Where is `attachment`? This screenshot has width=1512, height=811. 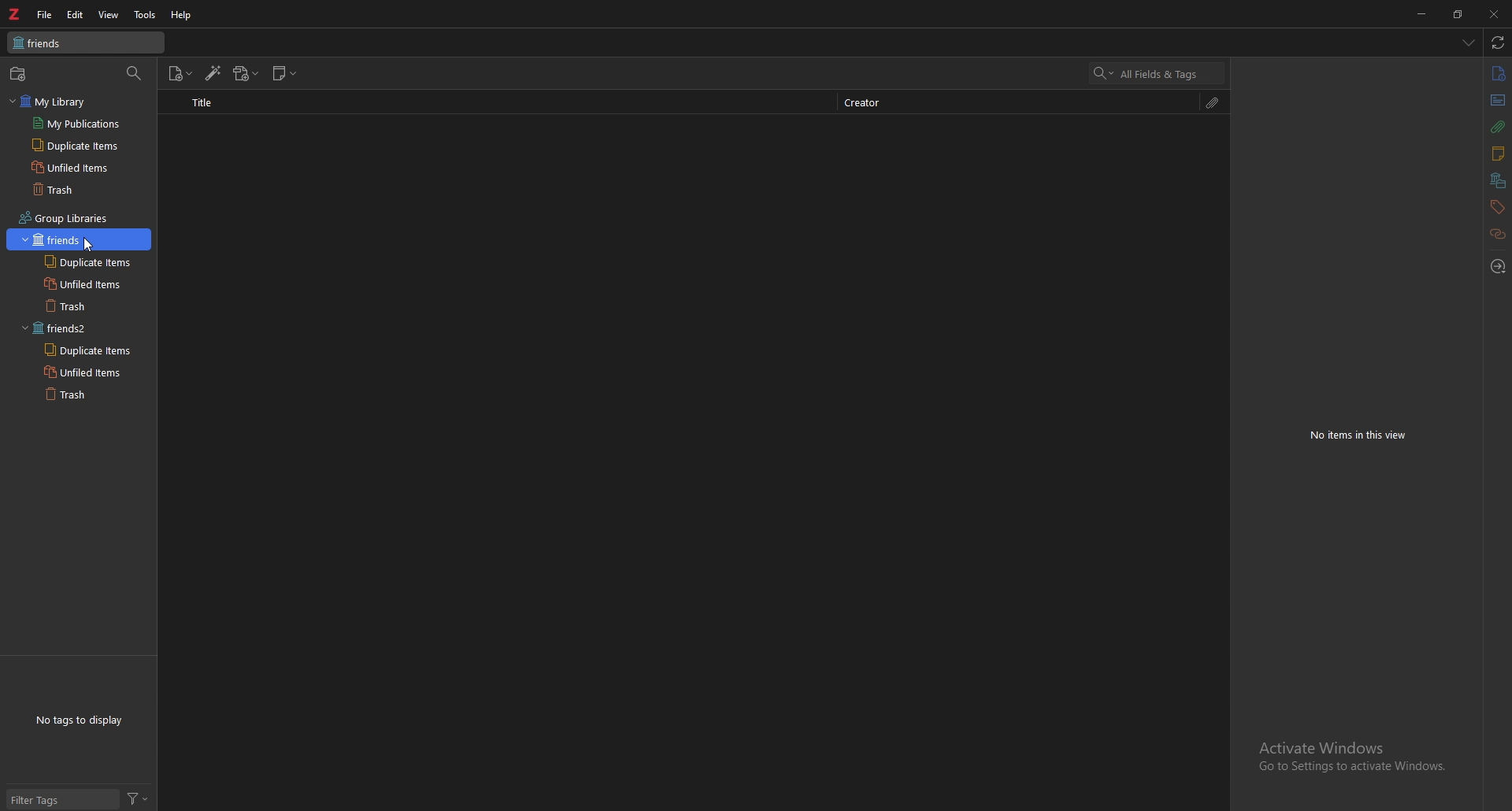 attachment is located at coordinates (1215, 102).